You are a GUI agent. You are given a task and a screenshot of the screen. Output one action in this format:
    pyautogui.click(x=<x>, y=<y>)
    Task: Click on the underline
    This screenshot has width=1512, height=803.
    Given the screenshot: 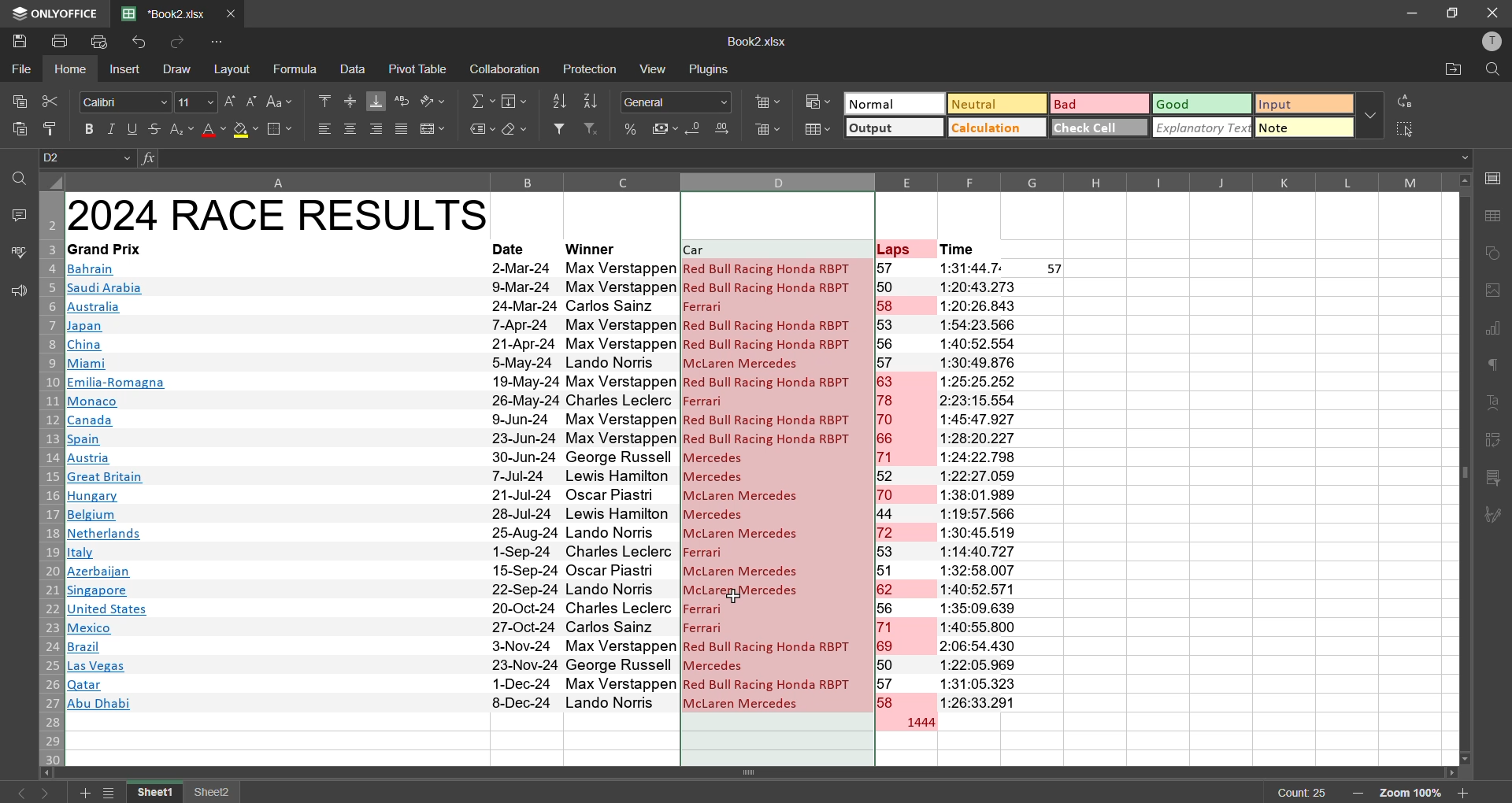 What is the action you would take?
    pyautogui.click(x=133, y=128)
    